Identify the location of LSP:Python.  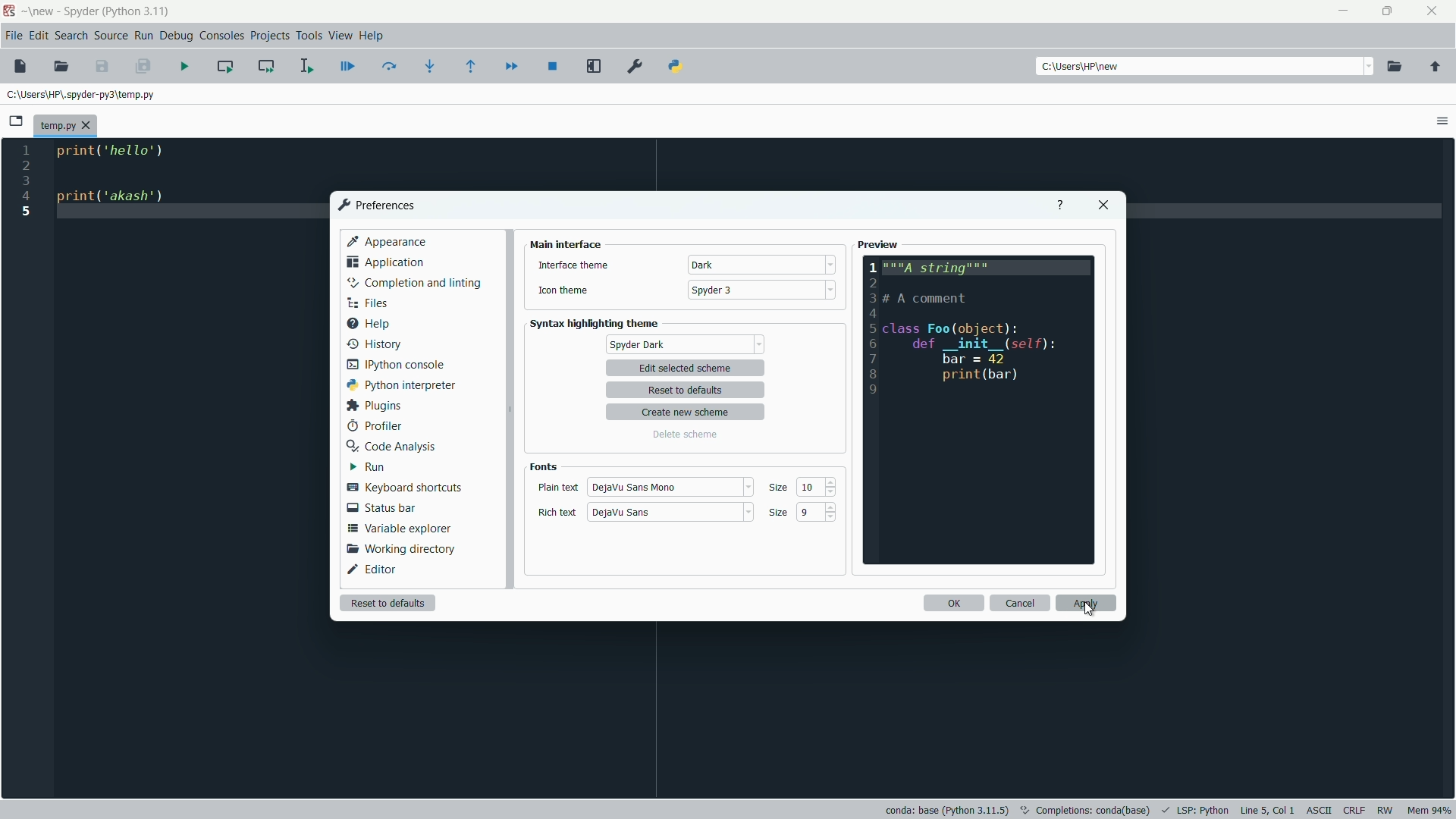
(1203, 810).